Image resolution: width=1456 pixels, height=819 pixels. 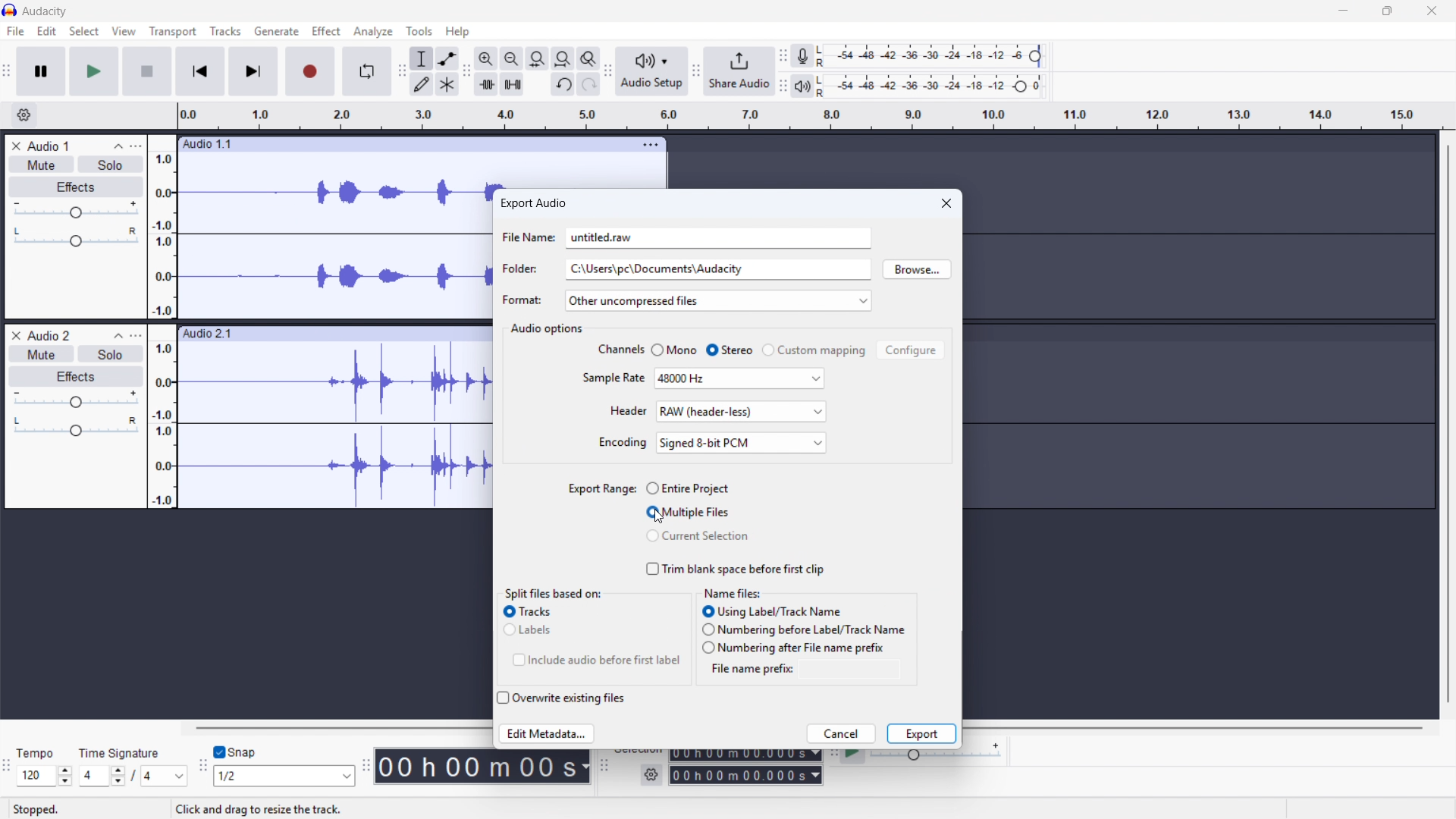 What do you see at coordinates (334, 334) in the screenshot?
I see `click to drag` at bounding box center [334, 334].